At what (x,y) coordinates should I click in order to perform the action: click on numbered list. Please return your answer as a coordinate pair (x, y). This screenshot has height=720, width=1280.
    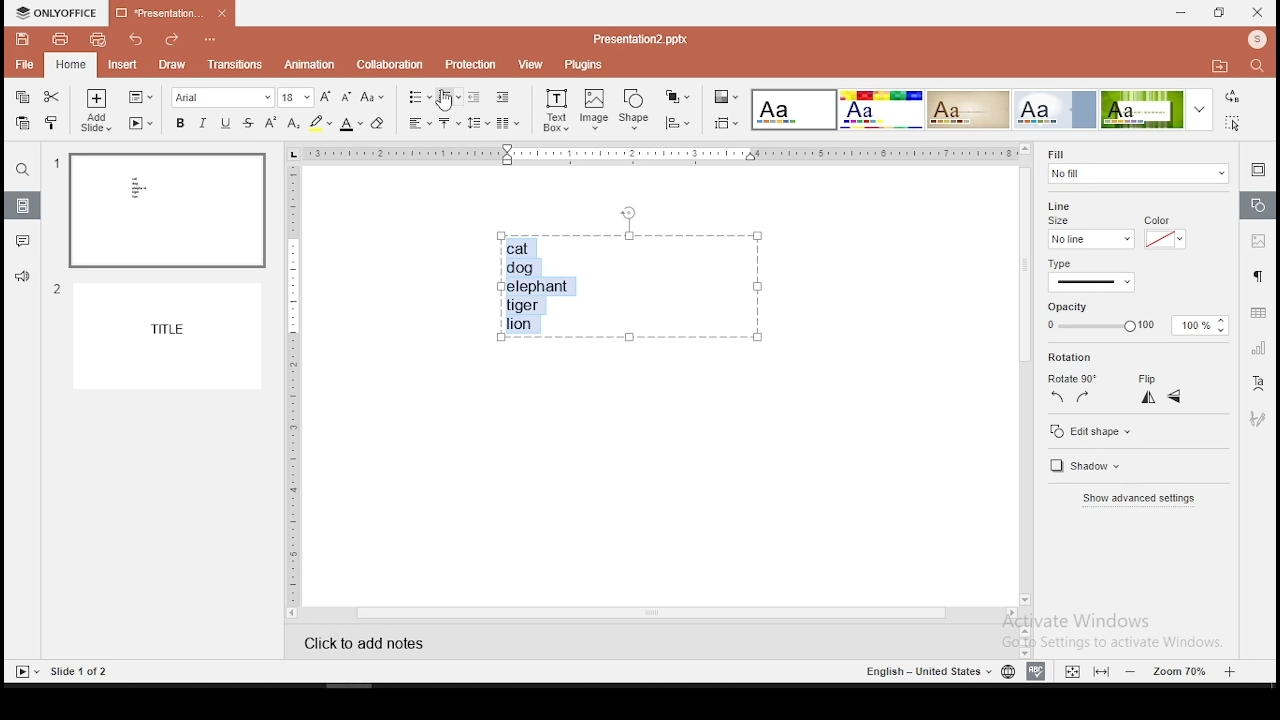
    Looking at the image, I should click on (449, 96).